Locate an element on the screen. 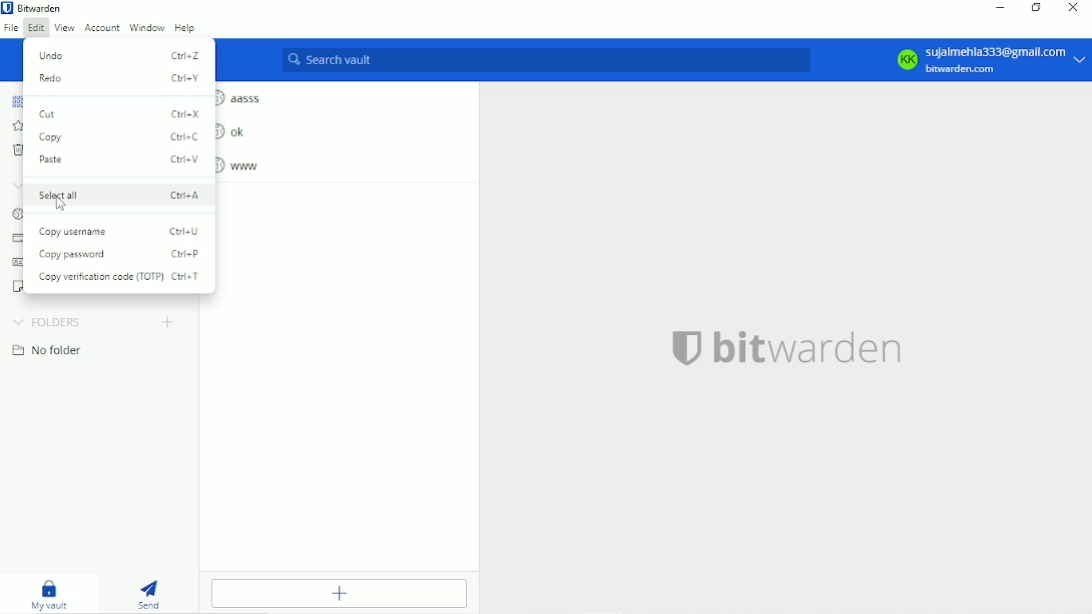 This screenshot has width=1092, height=614. Copy password is located at coordinates (122, 254).